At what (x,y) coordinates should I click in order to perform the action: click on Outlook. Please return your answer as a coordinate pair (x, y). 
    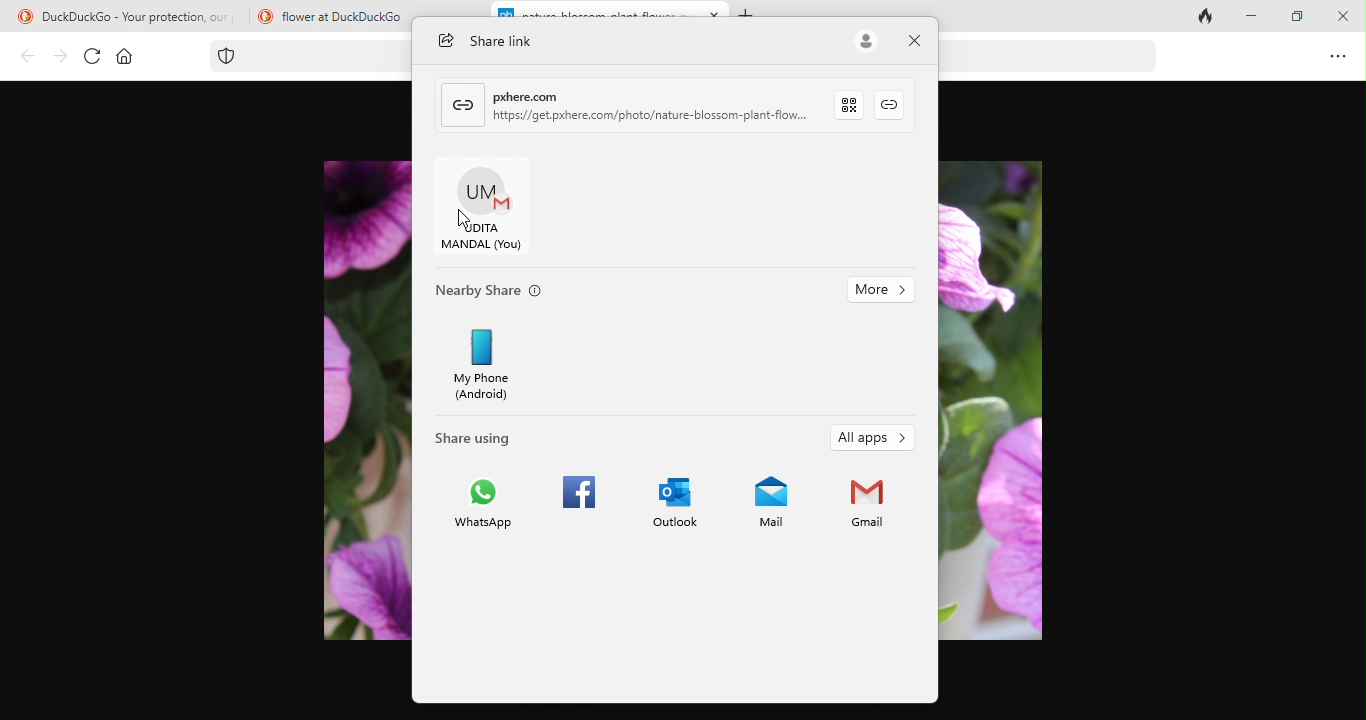
    Looking at the image, I should click on (670, 509).